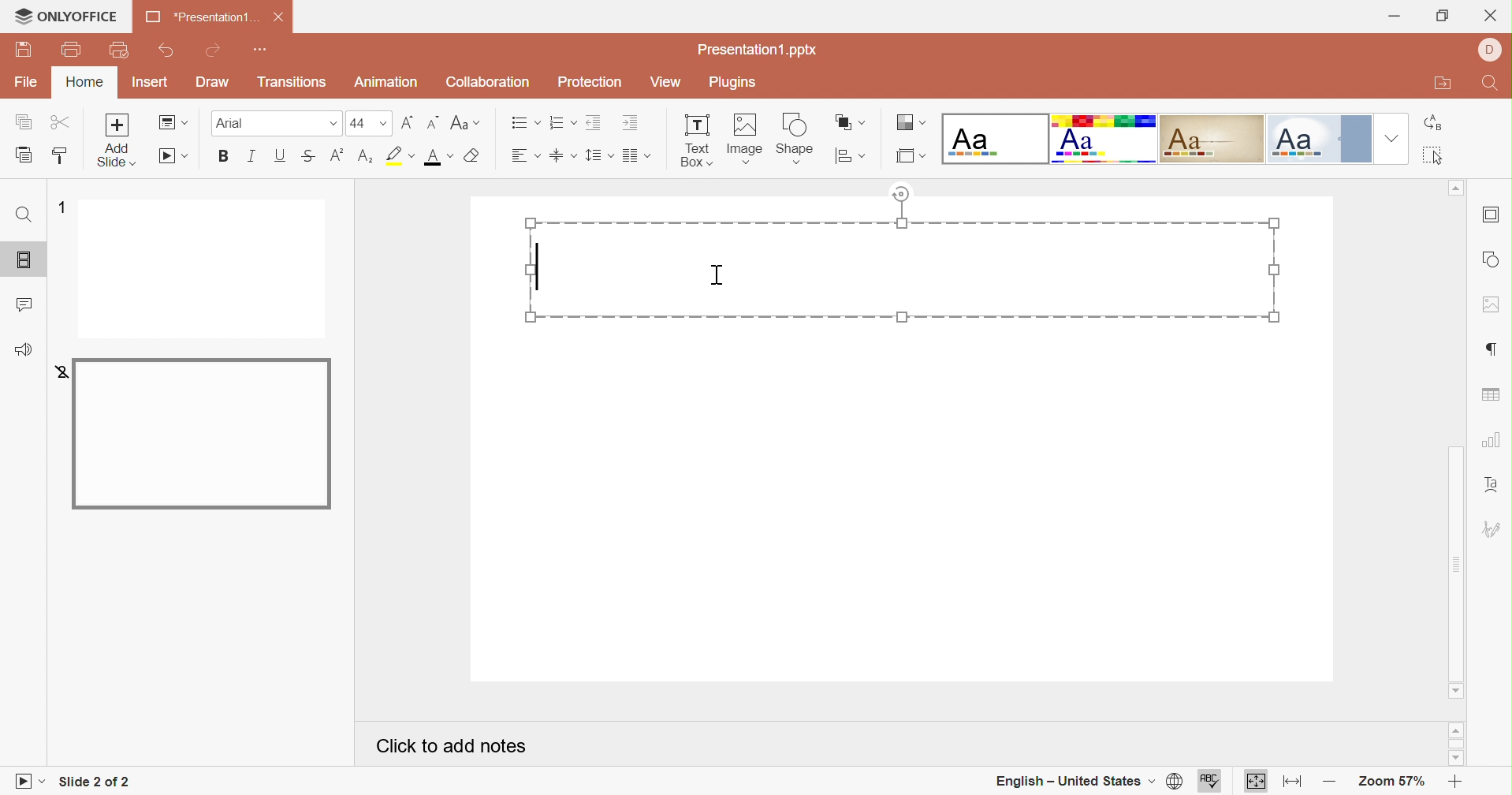 This screenshot has width=1512, height=795. What do you see at coordinates (166, 53) in the screenshot?
I see `Undo` at bounding box center [166, 53].